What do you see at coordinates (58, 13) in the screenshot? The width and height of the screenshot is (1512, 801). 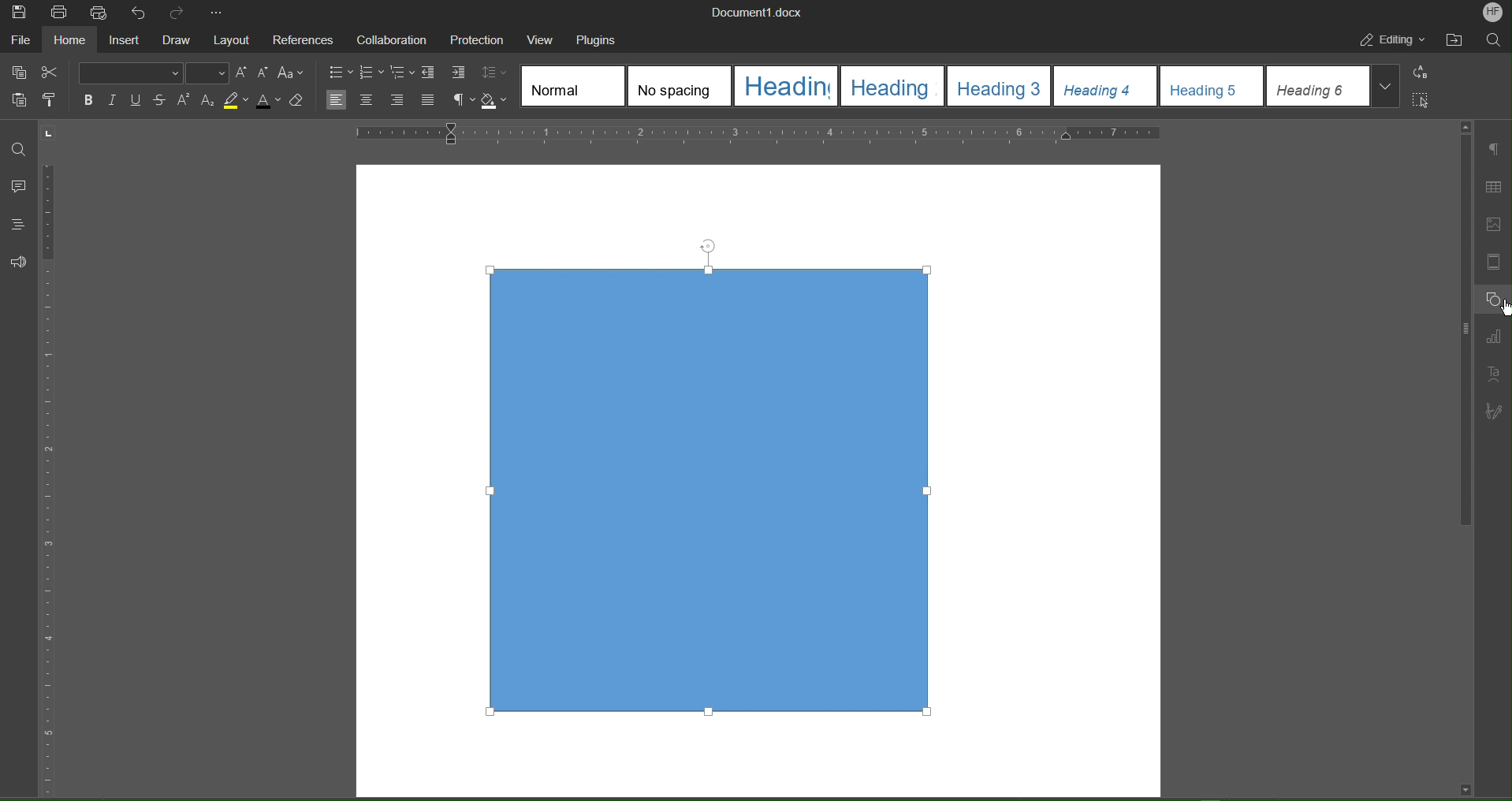 I see `Print` at bounding box center [58, 13].